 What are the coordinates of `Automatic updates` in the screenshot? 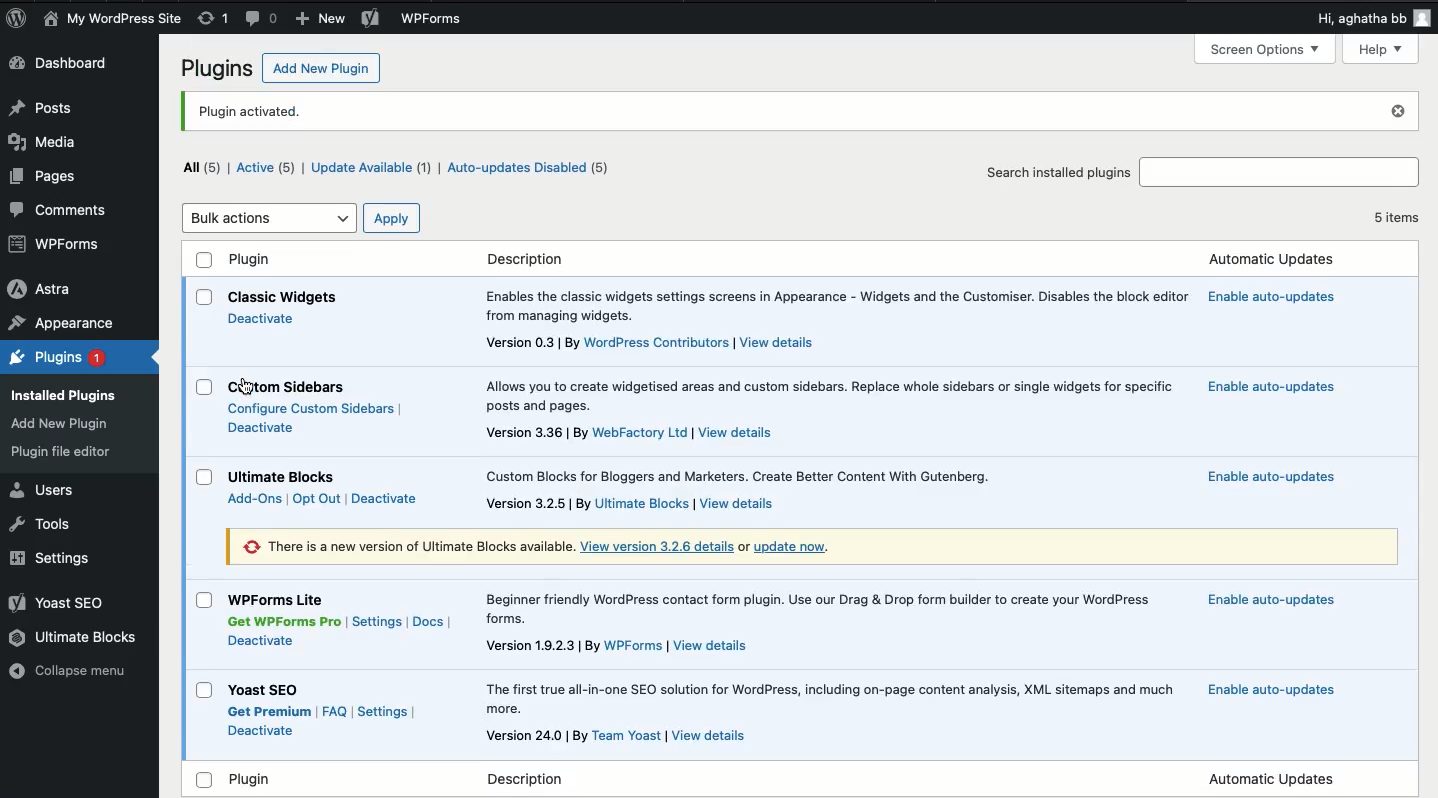 It's located at (1264, 478).